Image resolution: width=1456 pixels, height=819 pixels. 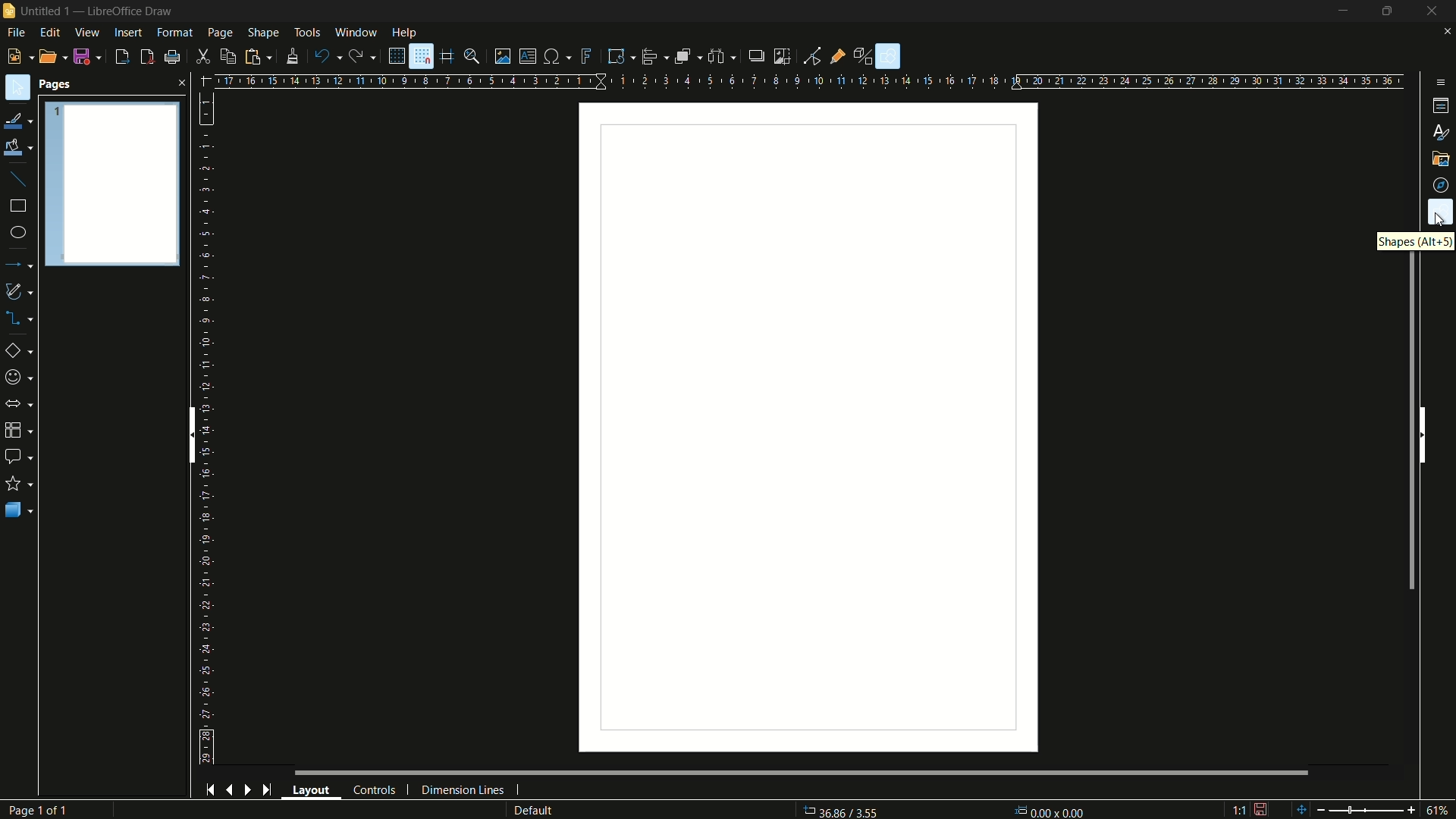 What do you see at coordinates (1447, 33) in the screenshot?
I see `close document` at bounding box center [1447, 33].